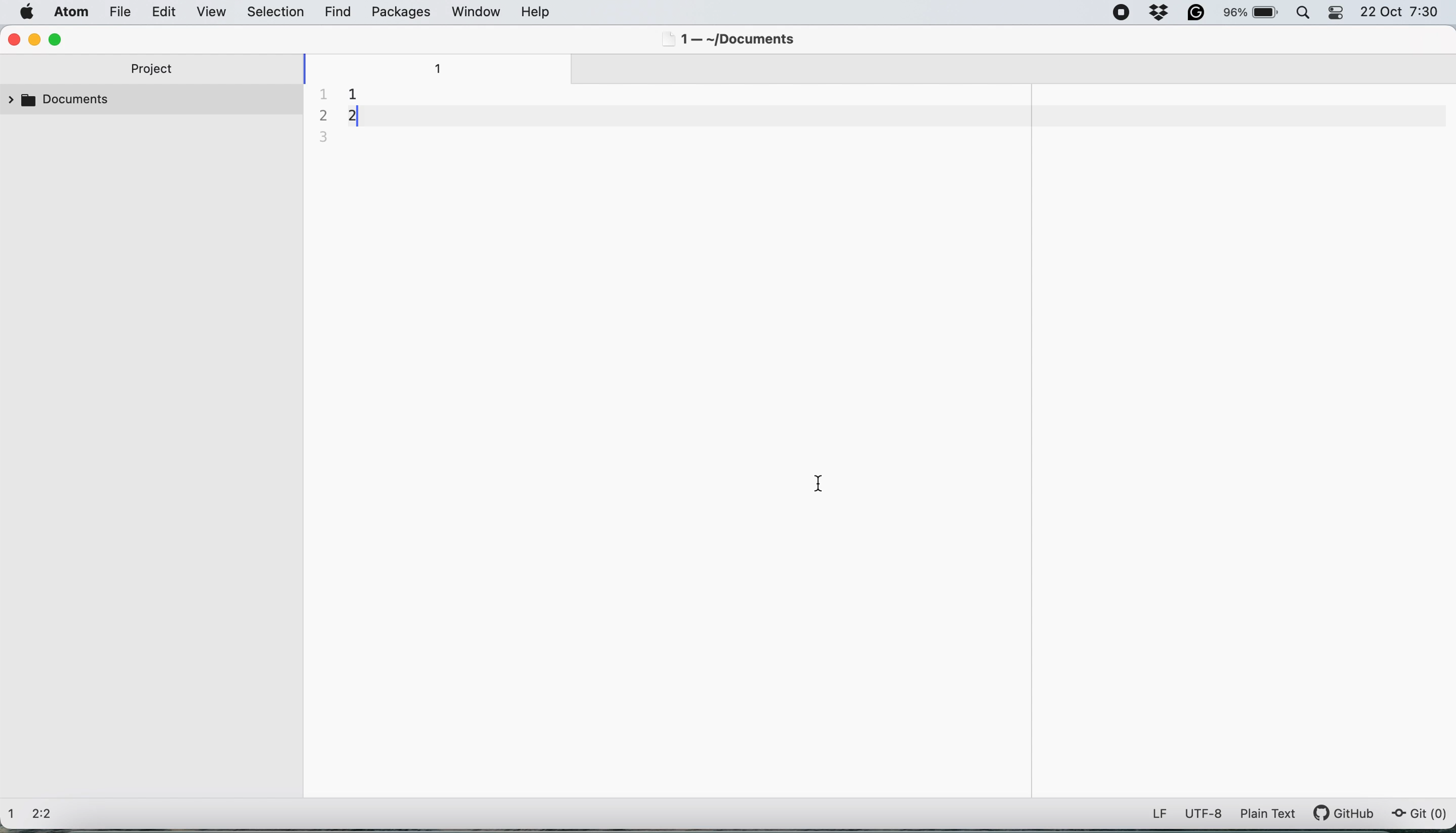 The width and height of the screenshot is (1456, 833). What do you see at coordinates (14, 816) in the screenshot?
I see `1` at bounding box center [14, 816].